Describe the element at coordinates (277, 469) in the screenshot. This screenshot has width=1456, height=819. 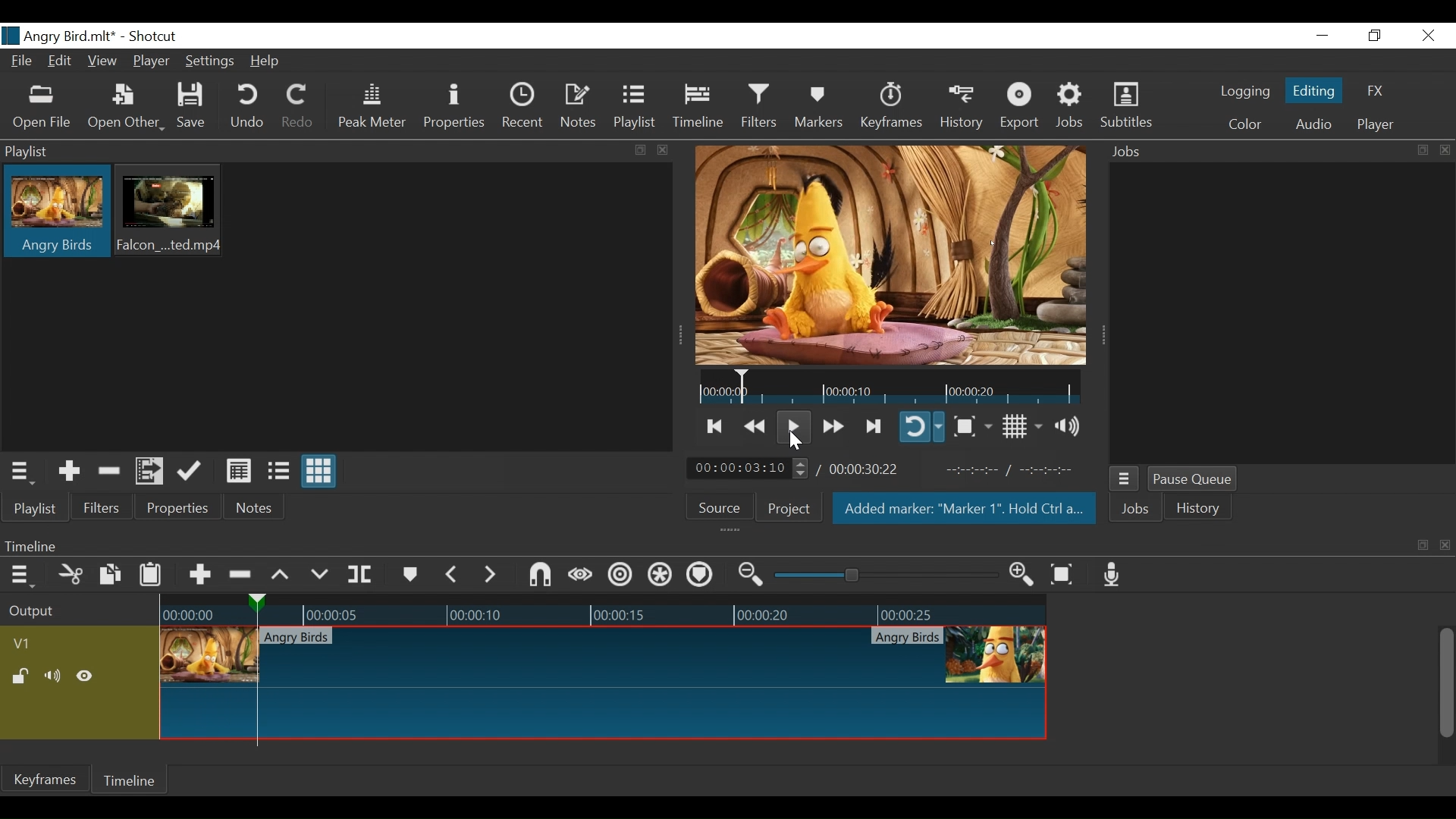
I see `View as files` at that location.